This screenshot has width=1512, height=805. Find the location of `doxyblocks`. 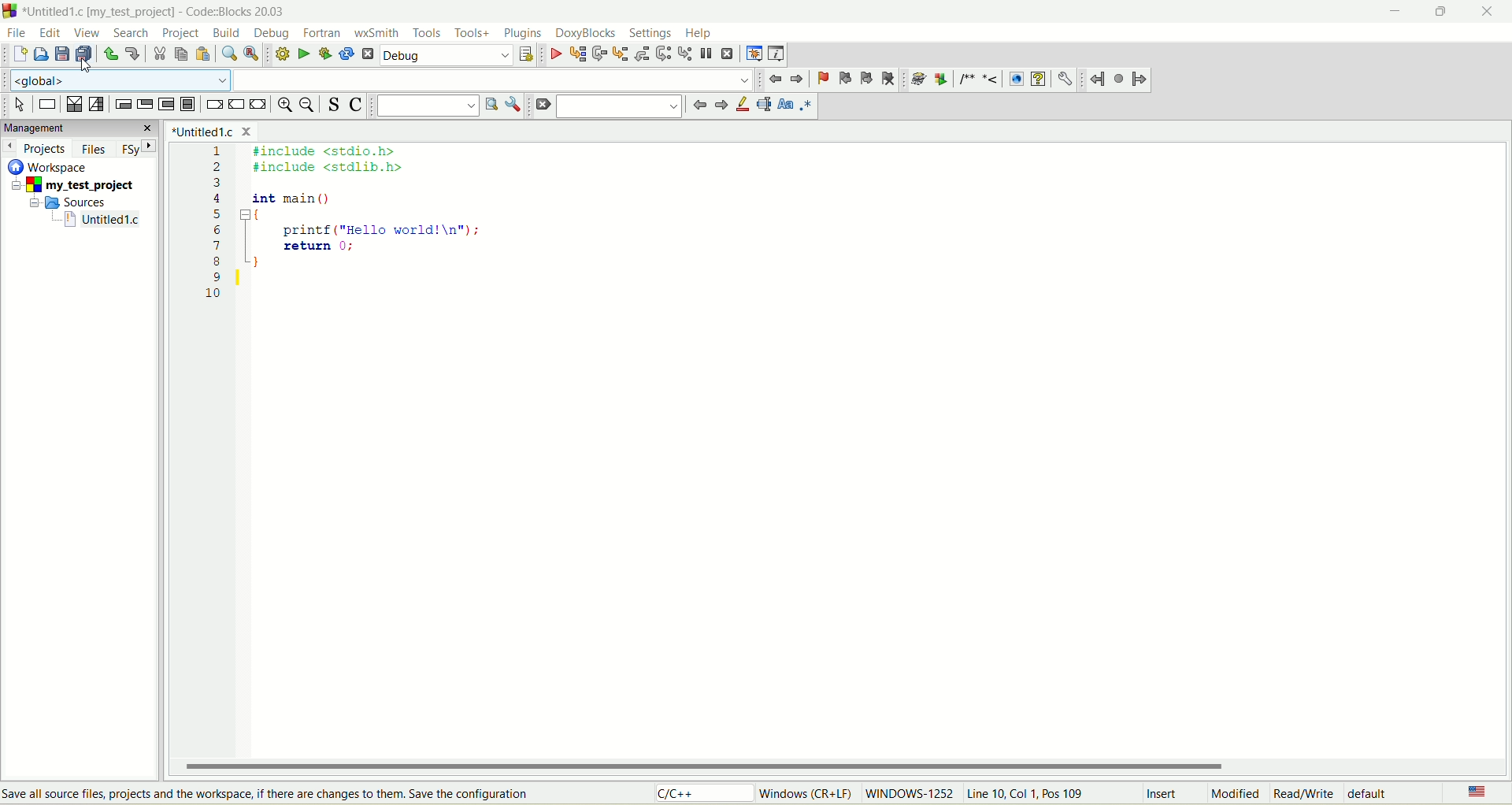

doxyblocks is located at coordinates (584, 32).